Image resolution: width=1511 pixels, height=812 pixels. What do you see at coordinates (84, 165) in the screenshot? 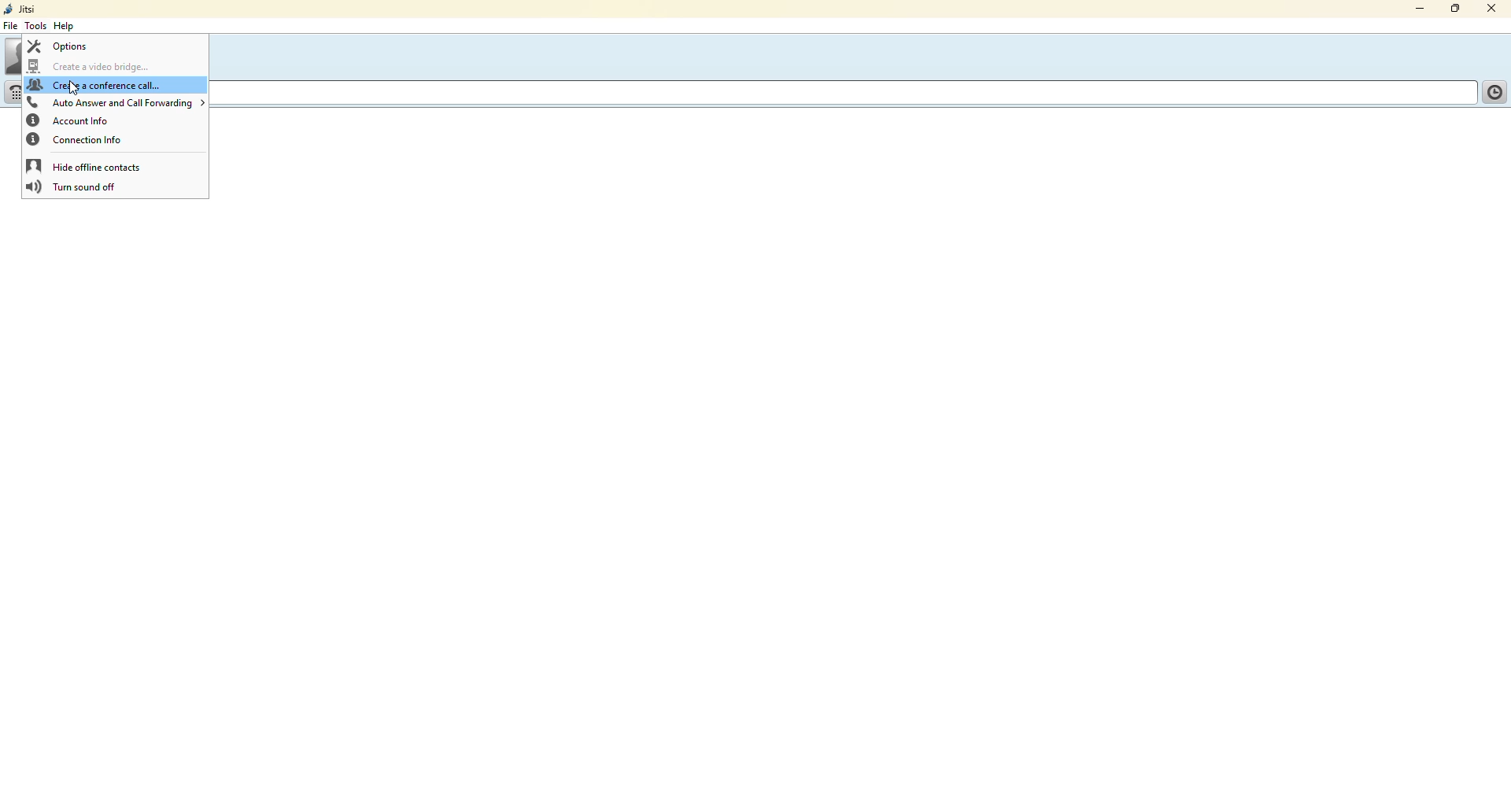
I see `hide offline contacts` at bounding box center [84, 165].